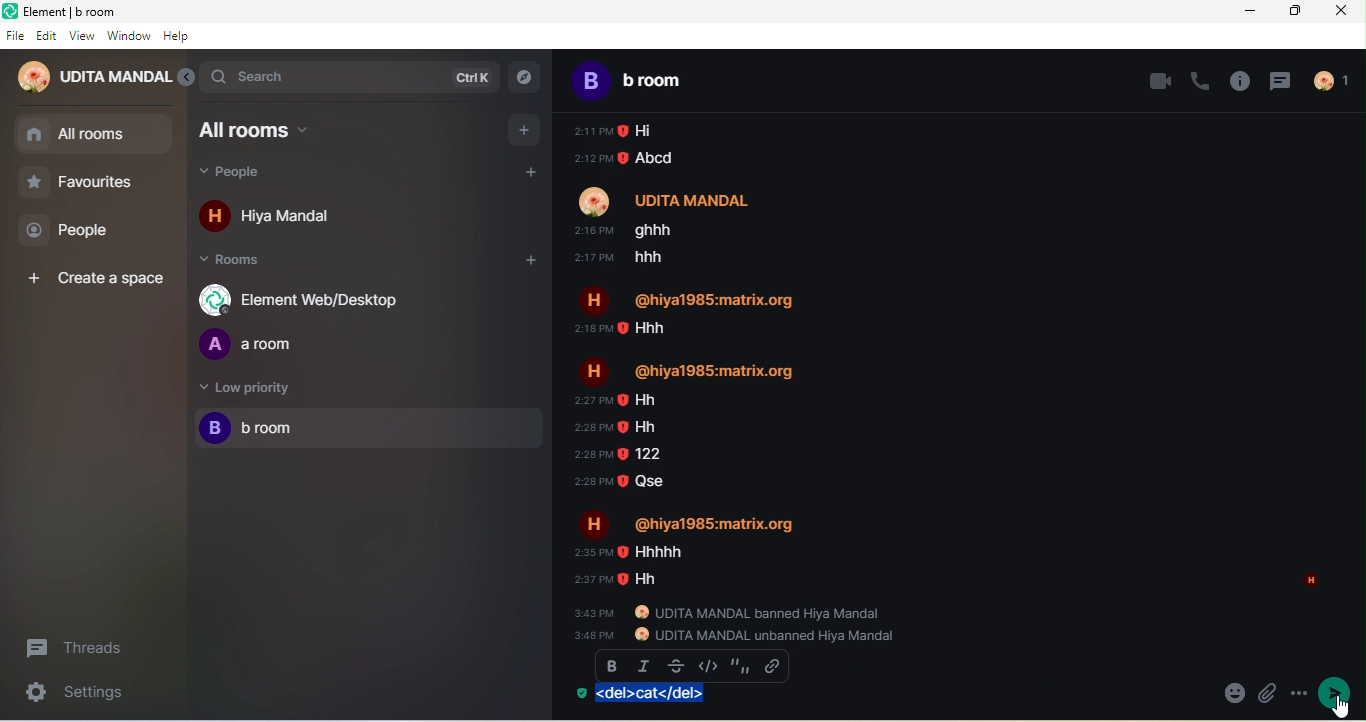 The image size is (1366, 722). I want to click on bold, so click(611, 665).